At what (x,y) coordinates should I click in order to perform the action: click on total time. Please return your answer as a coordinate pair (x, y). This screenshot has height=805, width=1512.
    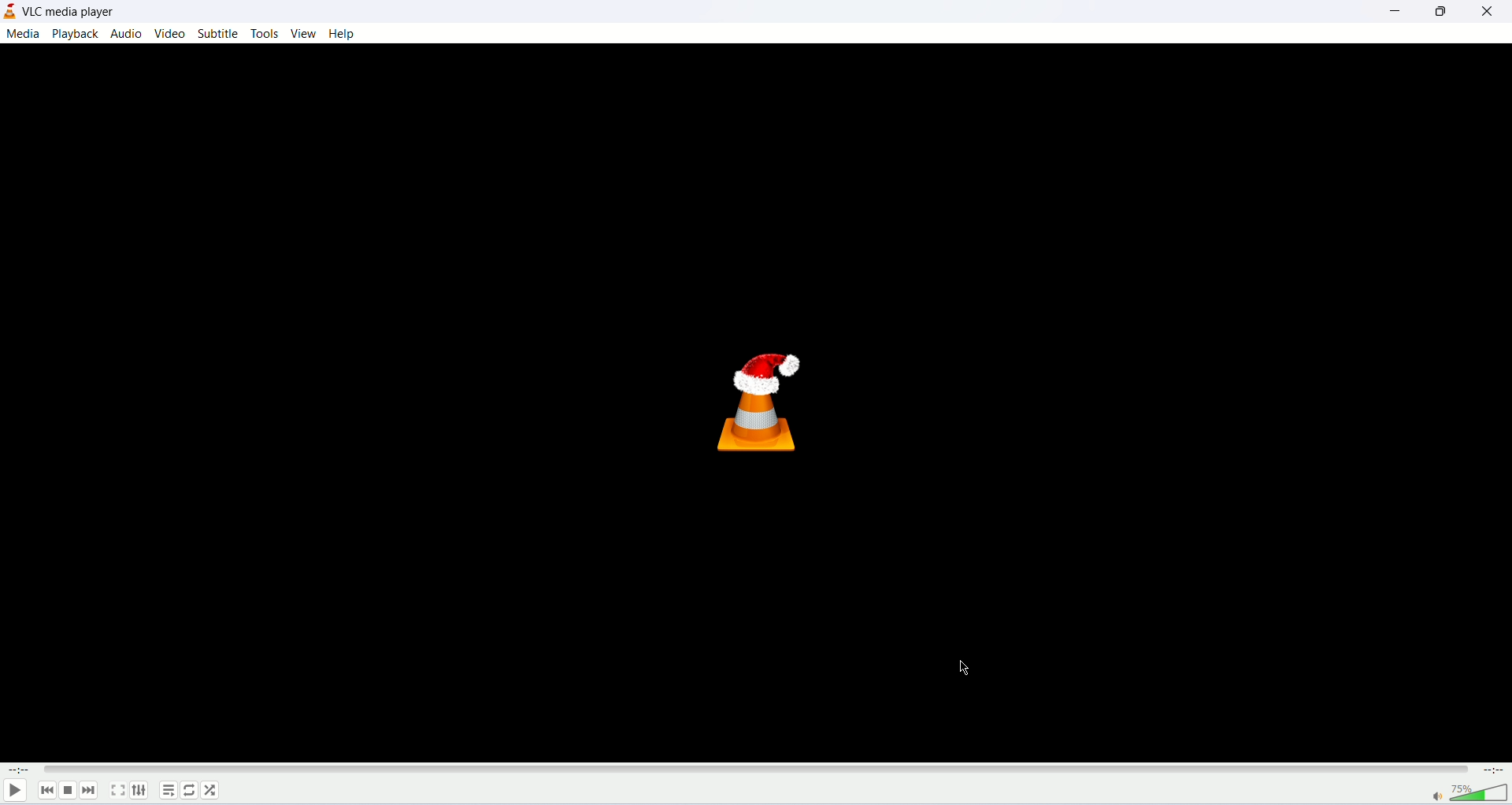
    Looking at the image, I should click on (1497, 770).